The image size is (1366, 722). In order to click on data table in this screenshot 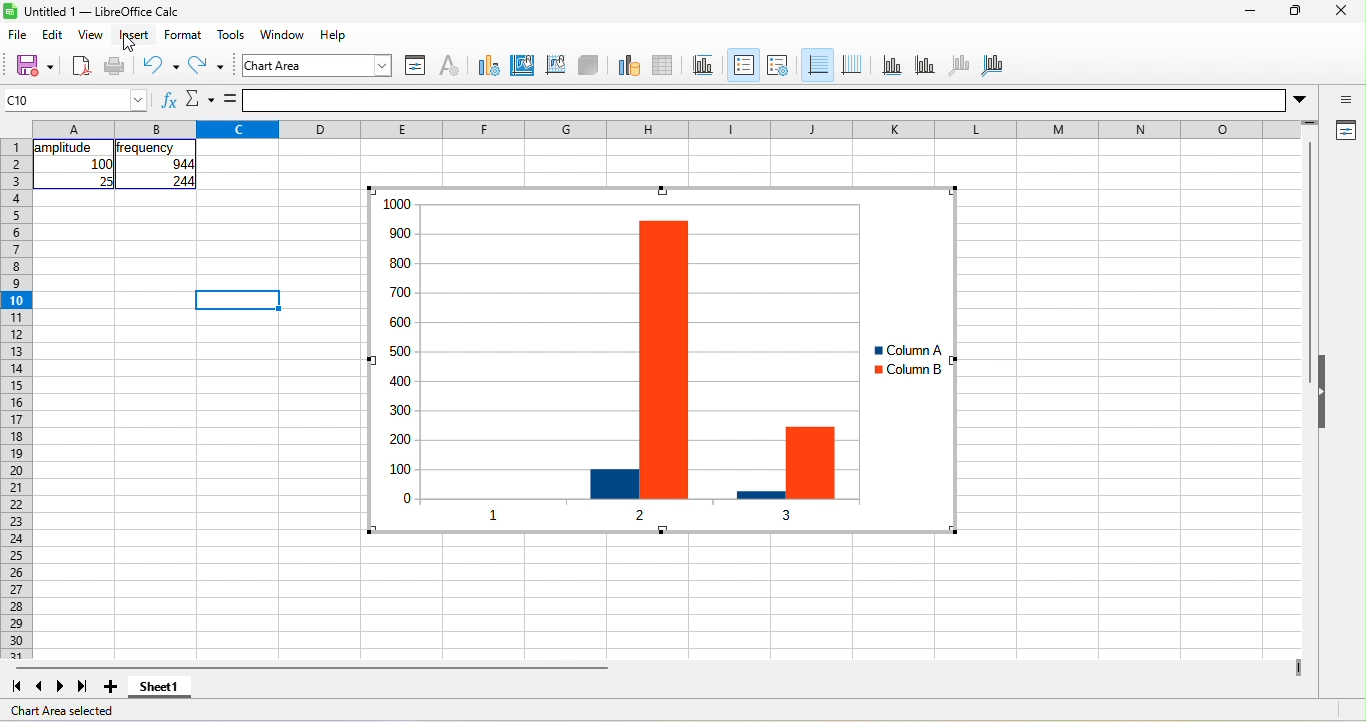, I will do `click(670, 63)`.